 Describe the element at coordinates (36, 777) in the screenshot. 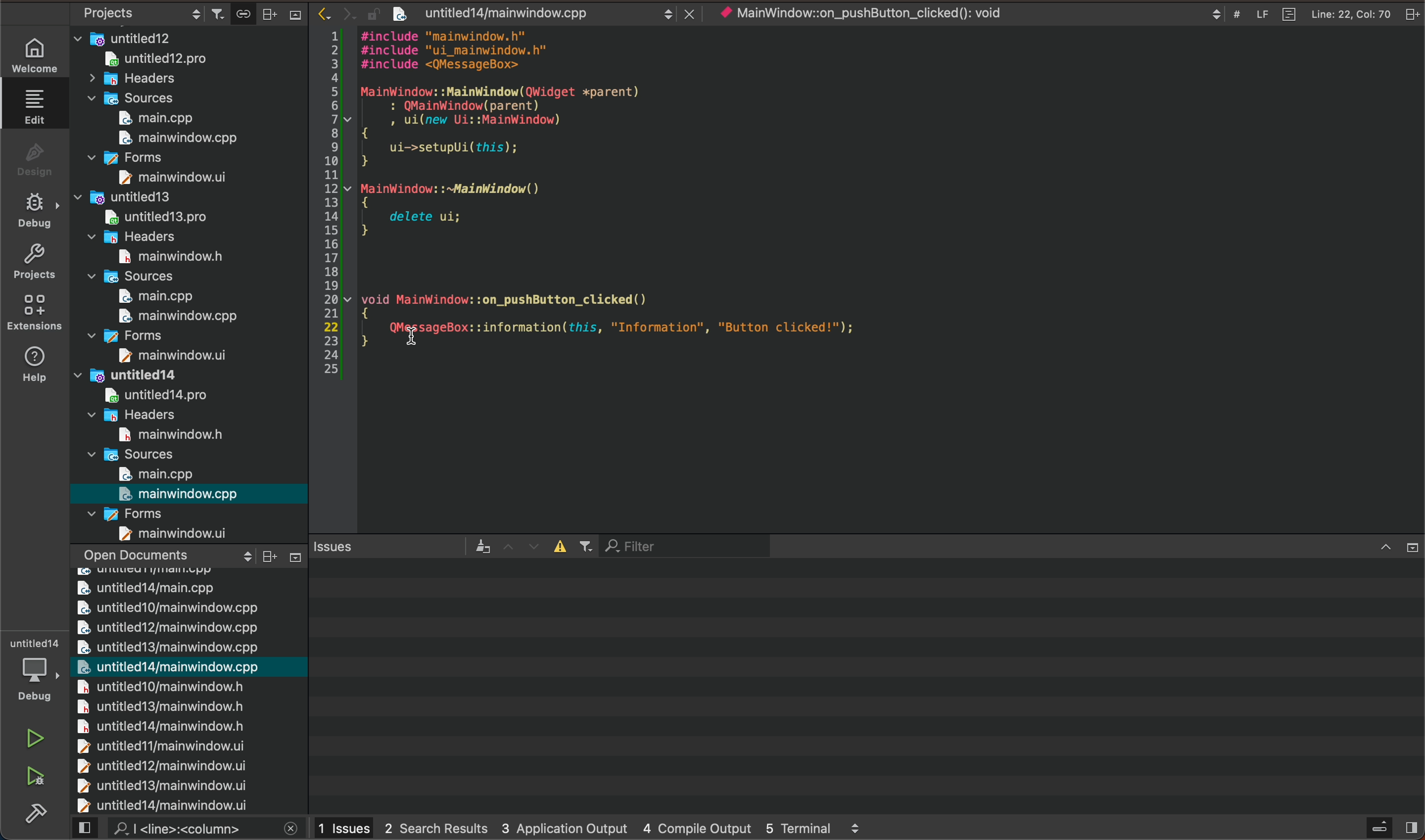

I see `run and debug` at that location.